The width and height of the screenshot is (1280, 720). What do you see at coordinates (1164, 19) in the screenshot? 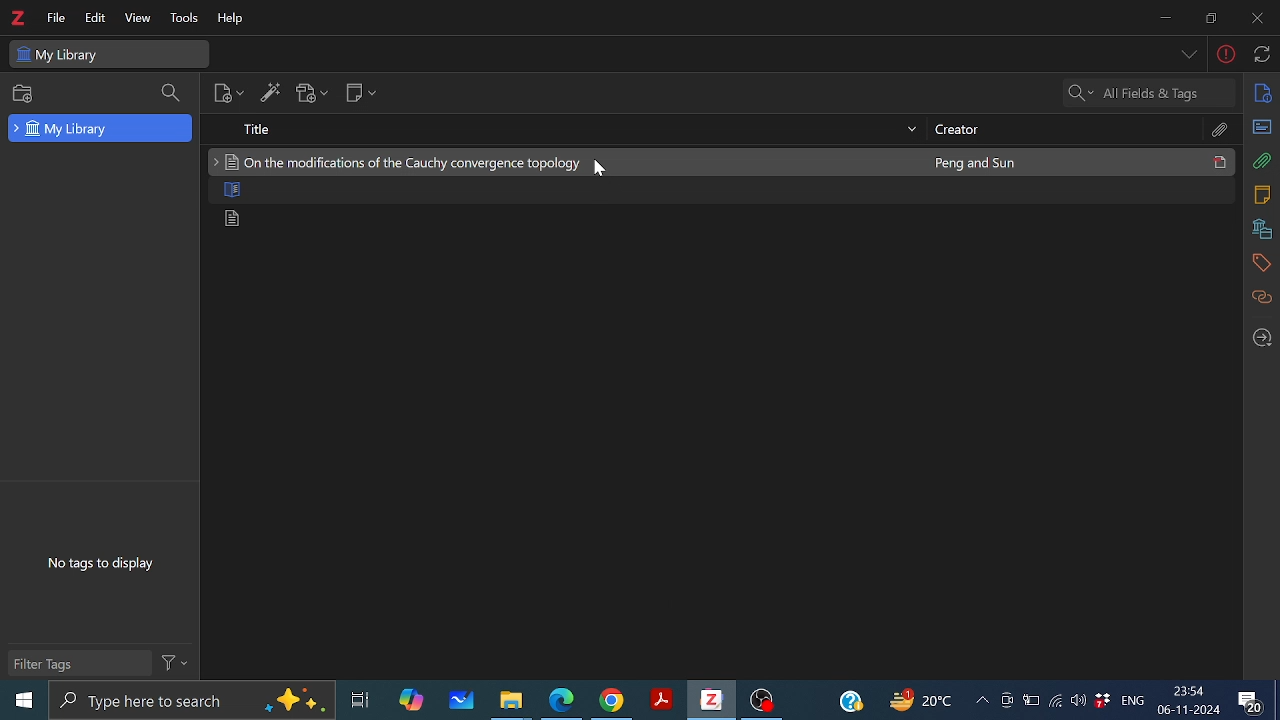
I see `Minmize` at bounding box center [1164, 19].